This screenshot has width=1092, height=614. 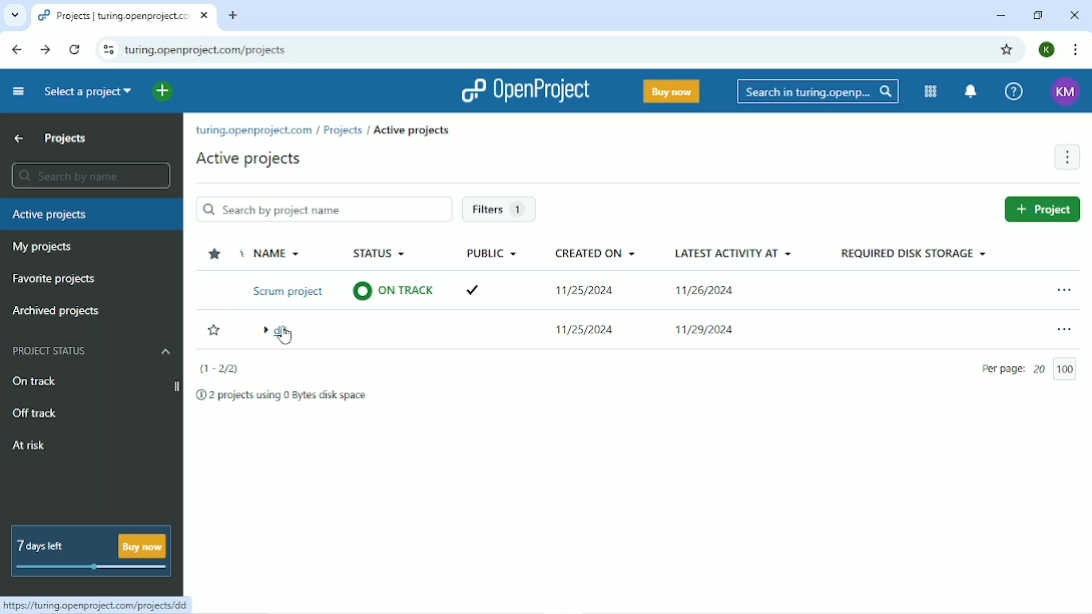 I want to click on New project, so click(x=1040, y=211).